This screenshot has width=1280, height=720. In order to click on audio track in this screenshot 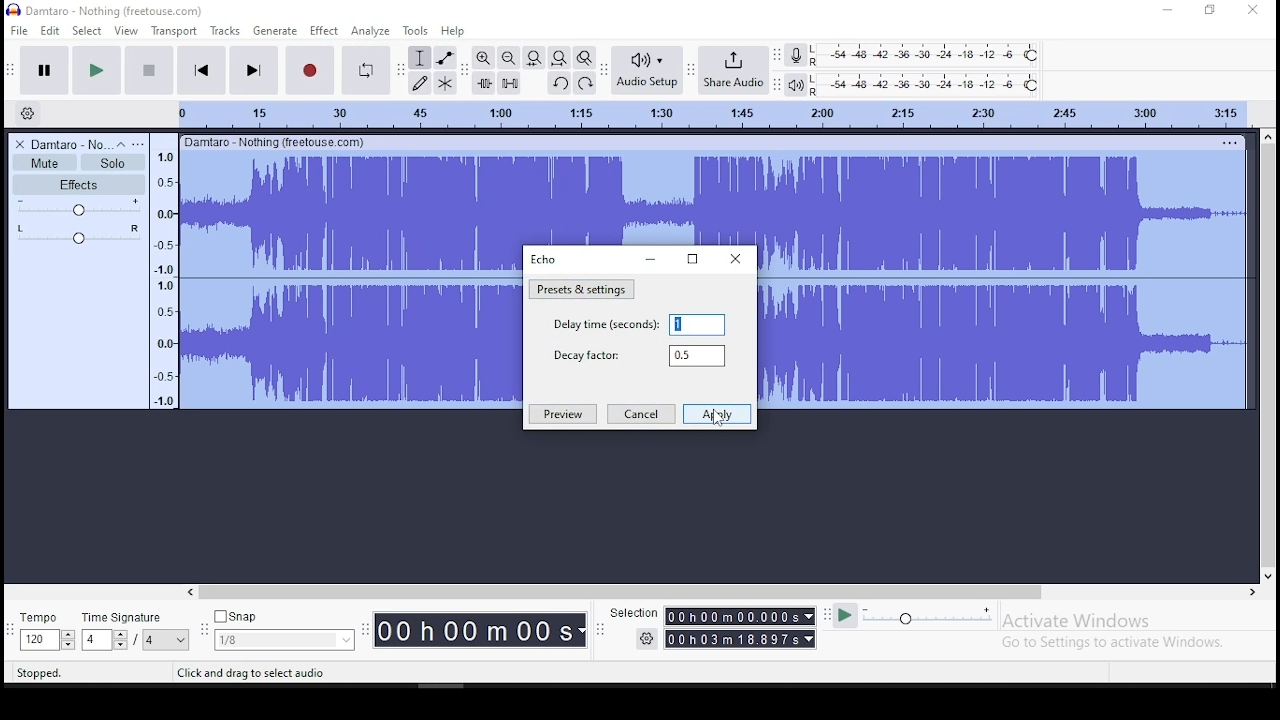, I will do `click(1003, 344)`.